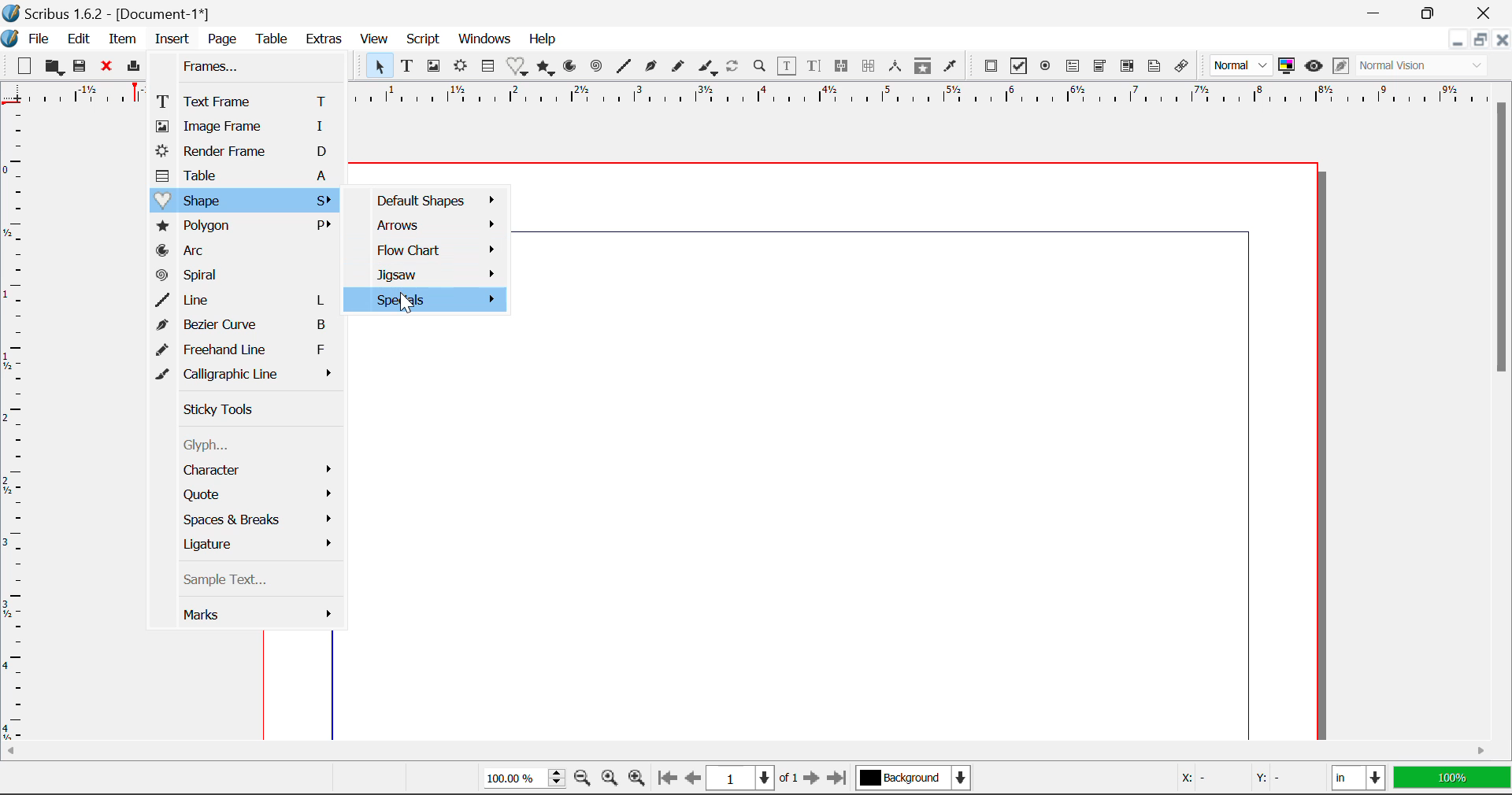  Describe the element at coordinates (1128, 68) in the screenshot. I see `Pdf List box` at that location.